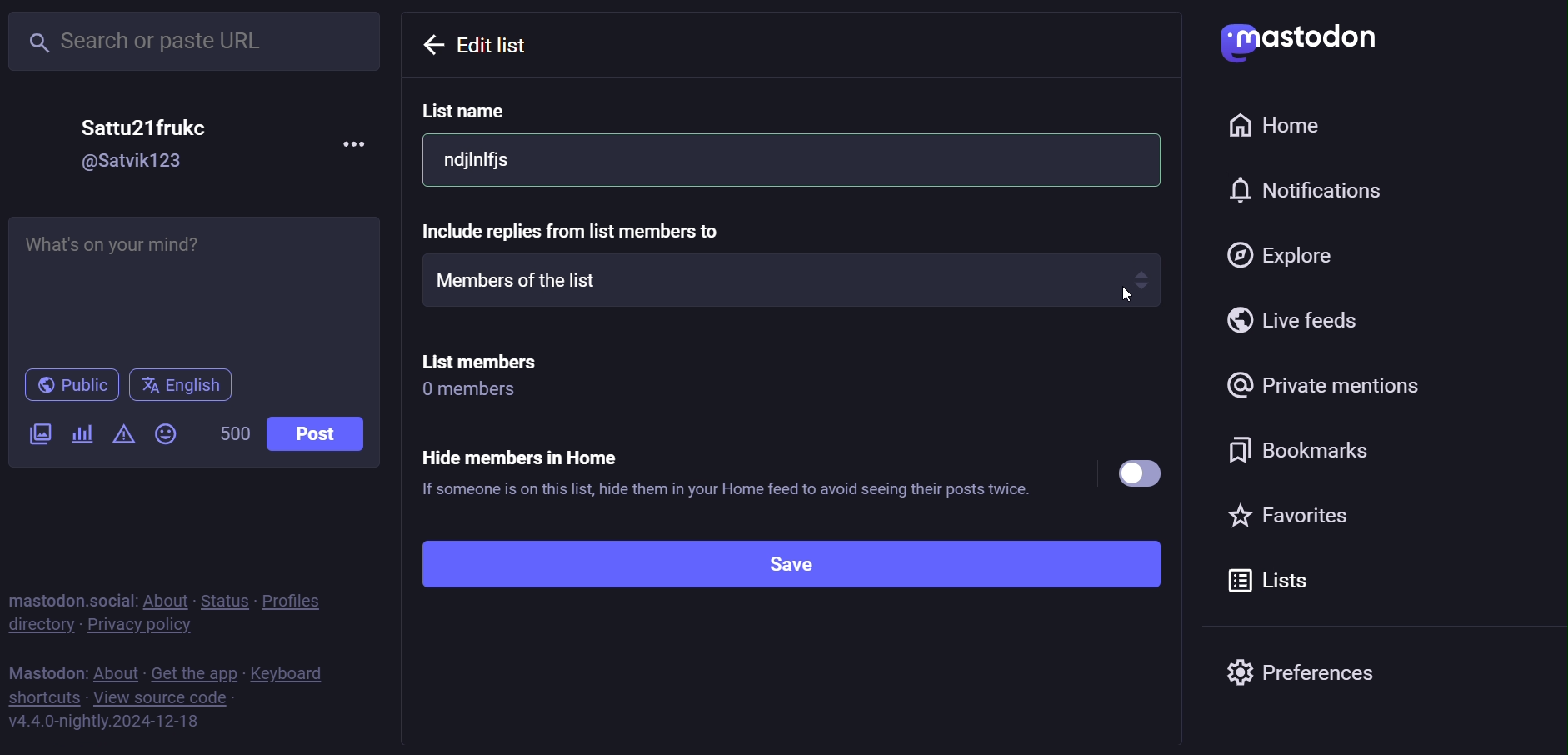  What do you see at coordinates (1270, 579) in the screenshot?
I see `list` at bounding box center [1270, 579].